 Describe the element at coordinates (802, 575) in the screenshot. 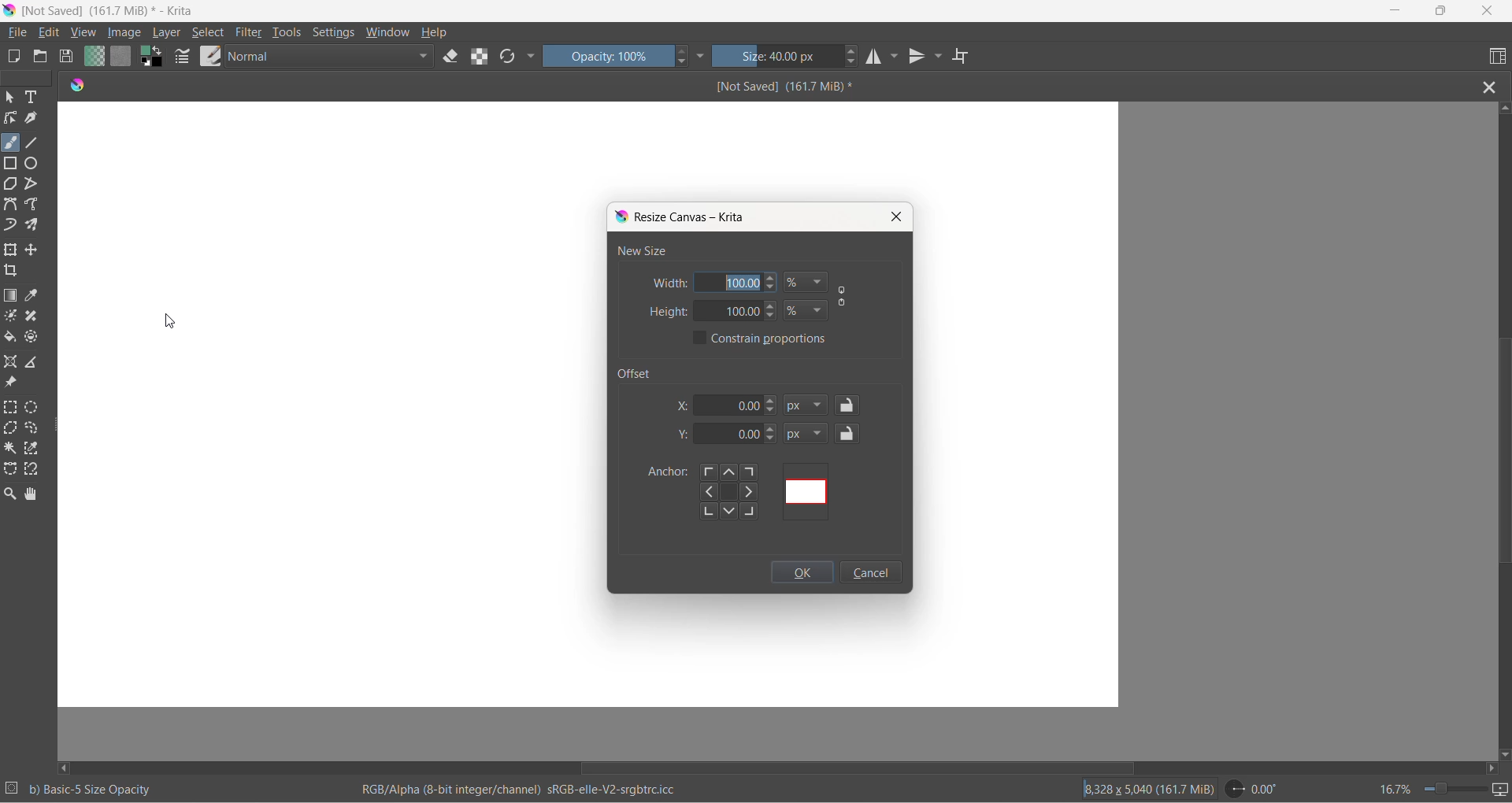

I see `ok` at that location.